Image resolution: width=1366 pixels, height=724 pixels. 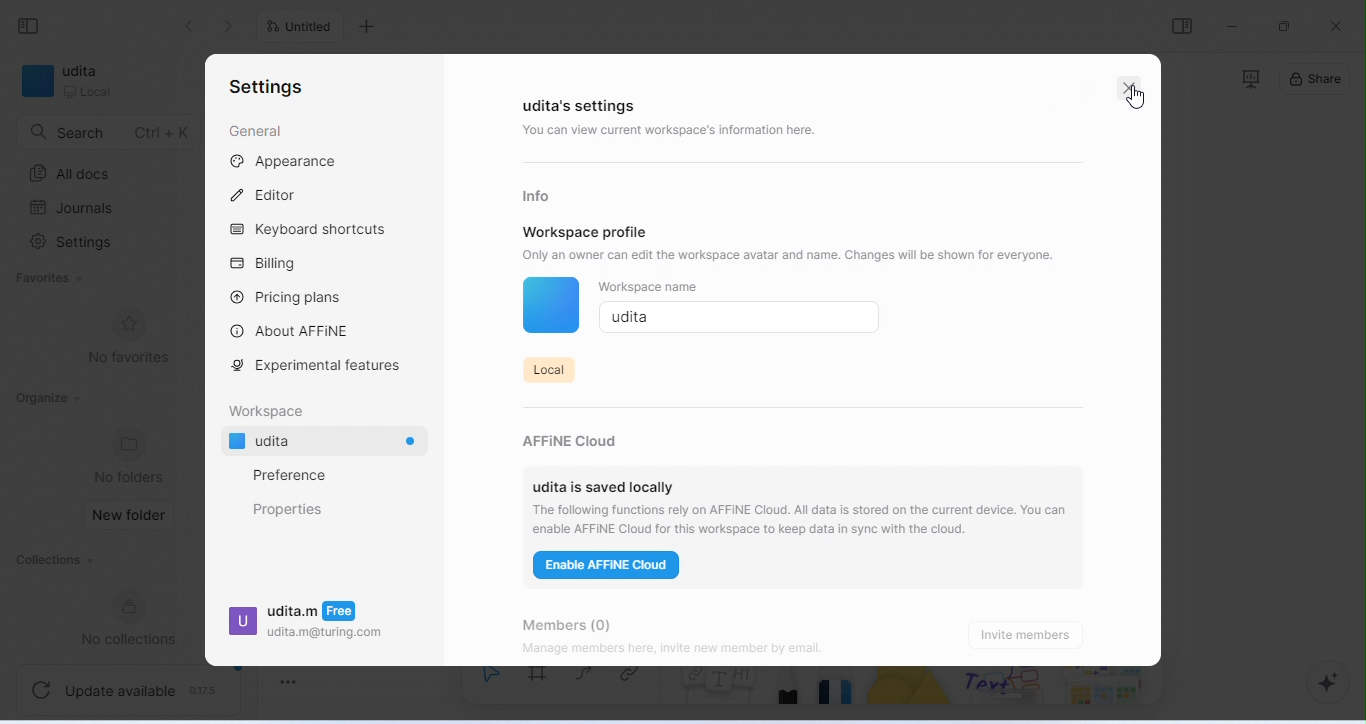 What do you see at coordinates (326, 441) in the screenshot?
I see `udita` at bounding box center [326, 441].